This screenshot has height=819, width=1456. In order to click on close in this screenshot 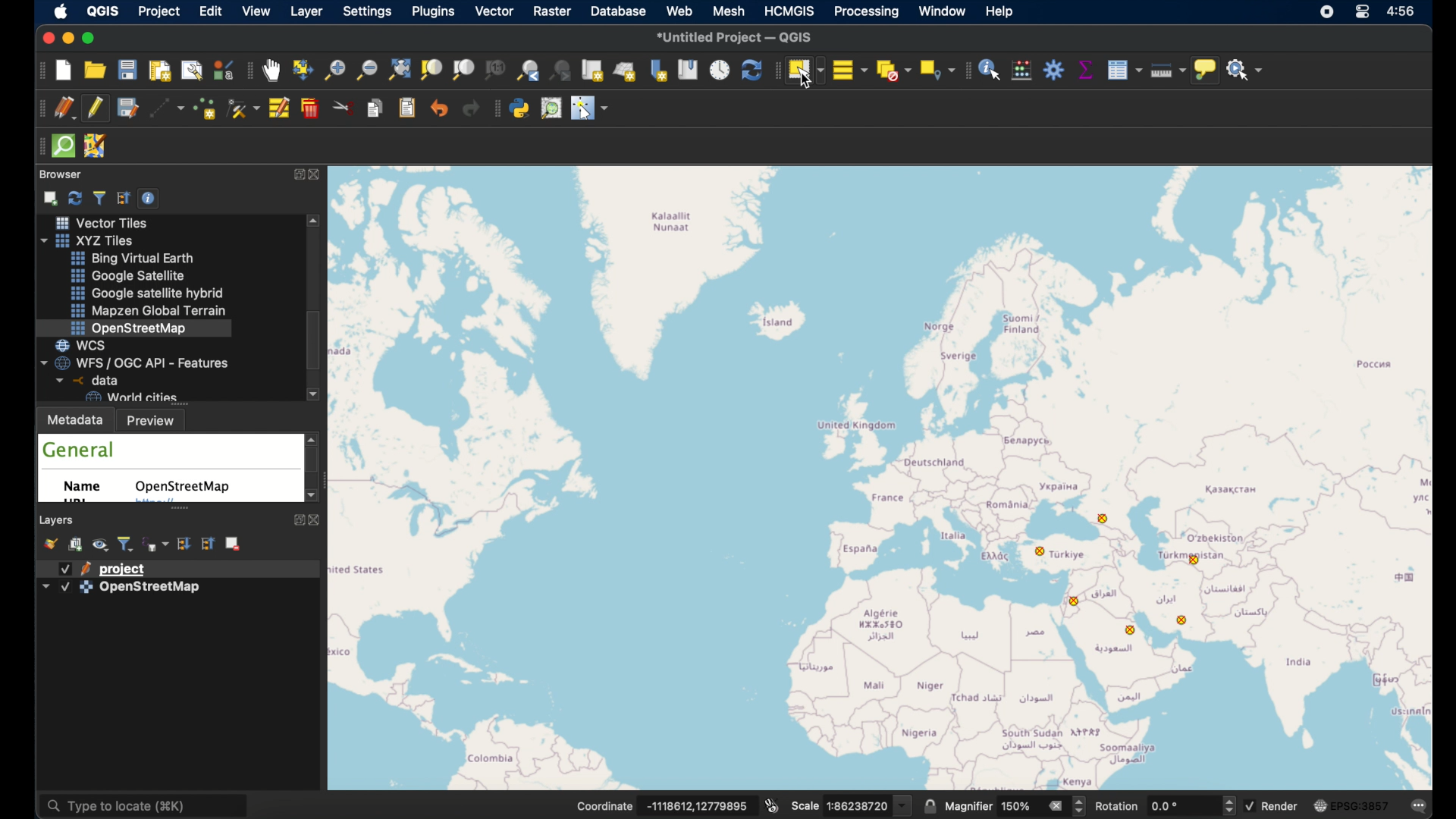, I will do `click(320, 174)`.